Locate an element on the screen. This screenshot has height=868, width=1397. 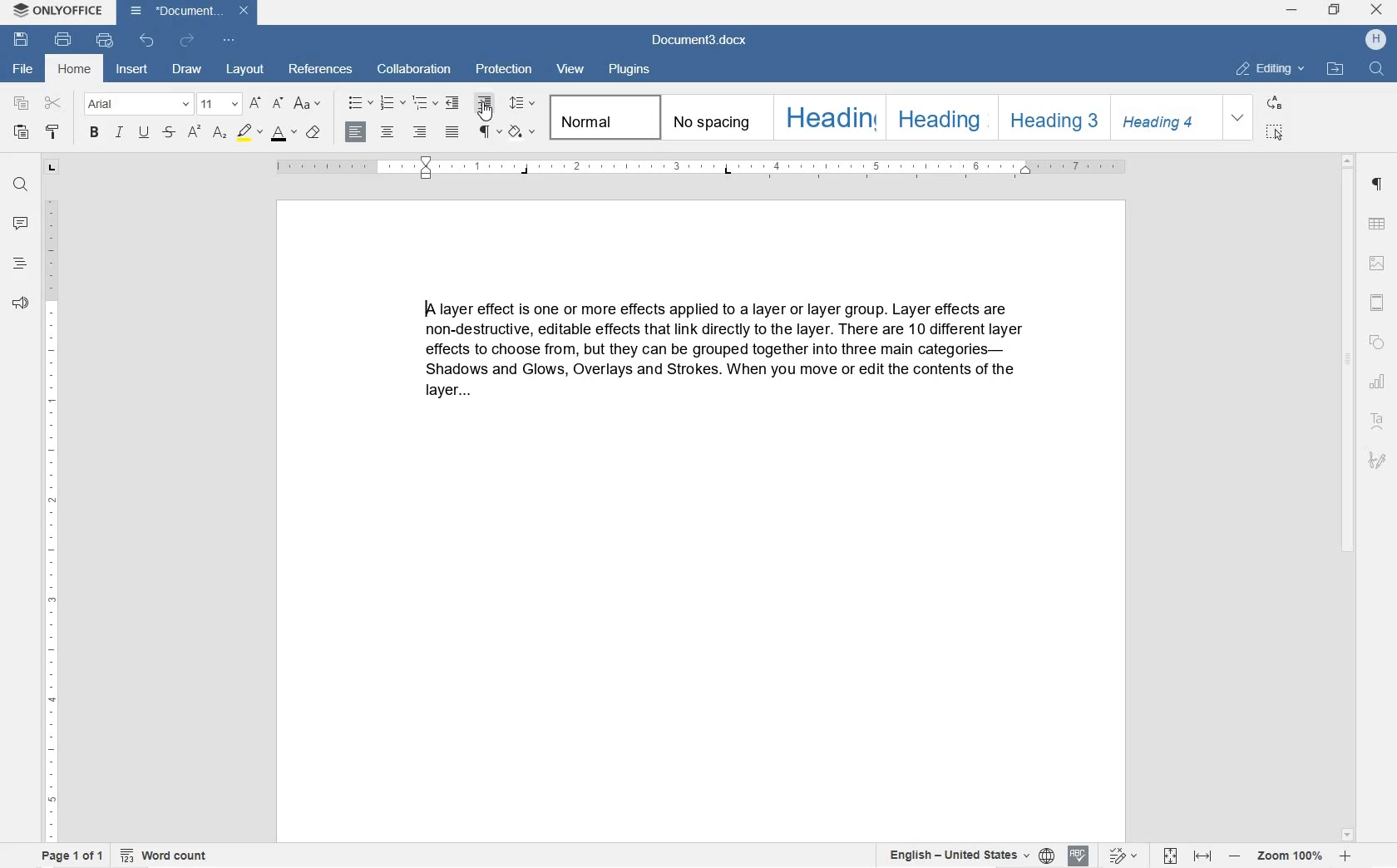
STRIKETHROUGH is located at coordinates (170, 133).